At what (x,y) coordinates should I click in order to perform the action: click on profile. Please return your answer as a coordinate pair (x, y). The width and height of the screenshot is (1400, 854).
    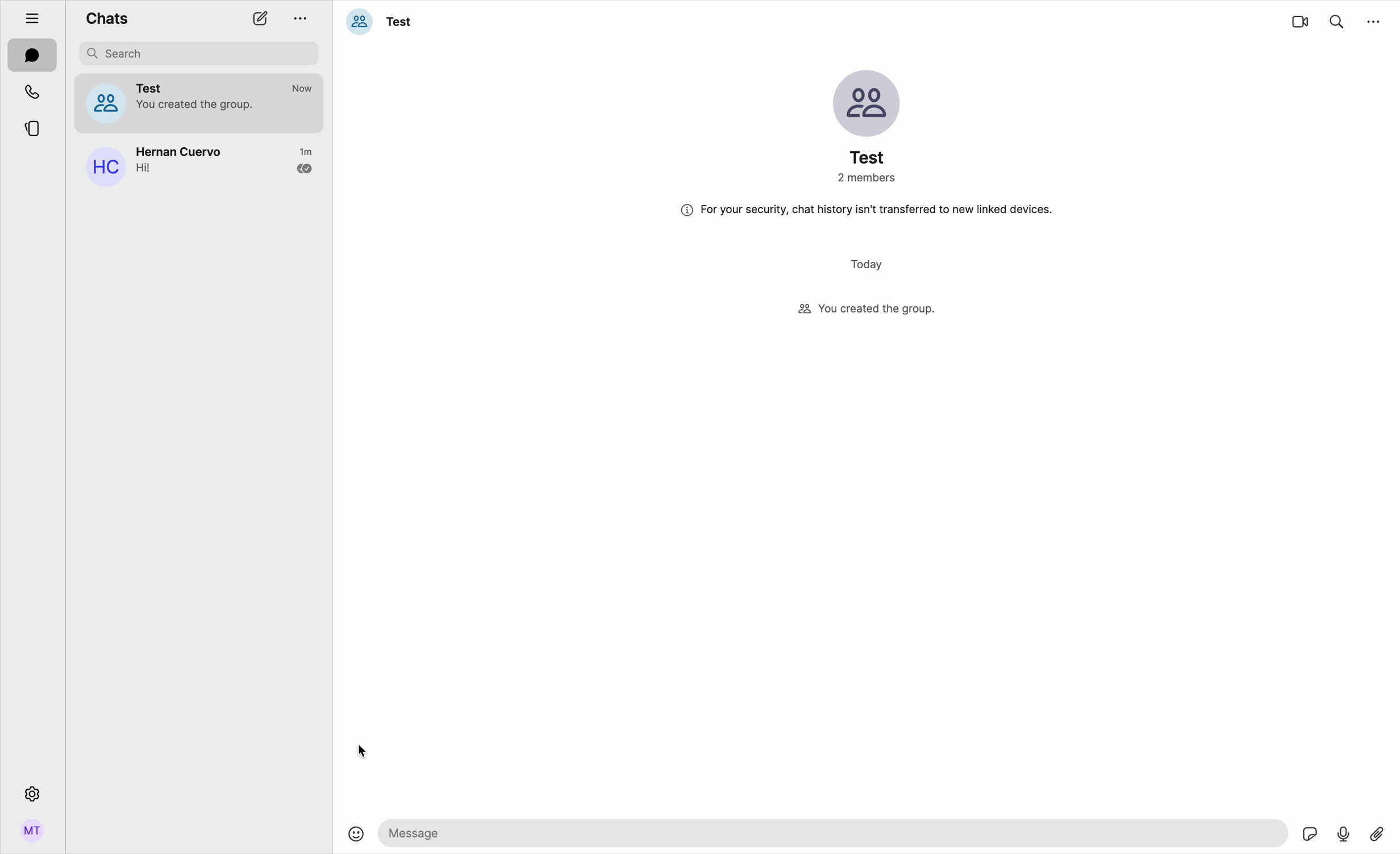
    Looking at the image, I should click on (32, 835).